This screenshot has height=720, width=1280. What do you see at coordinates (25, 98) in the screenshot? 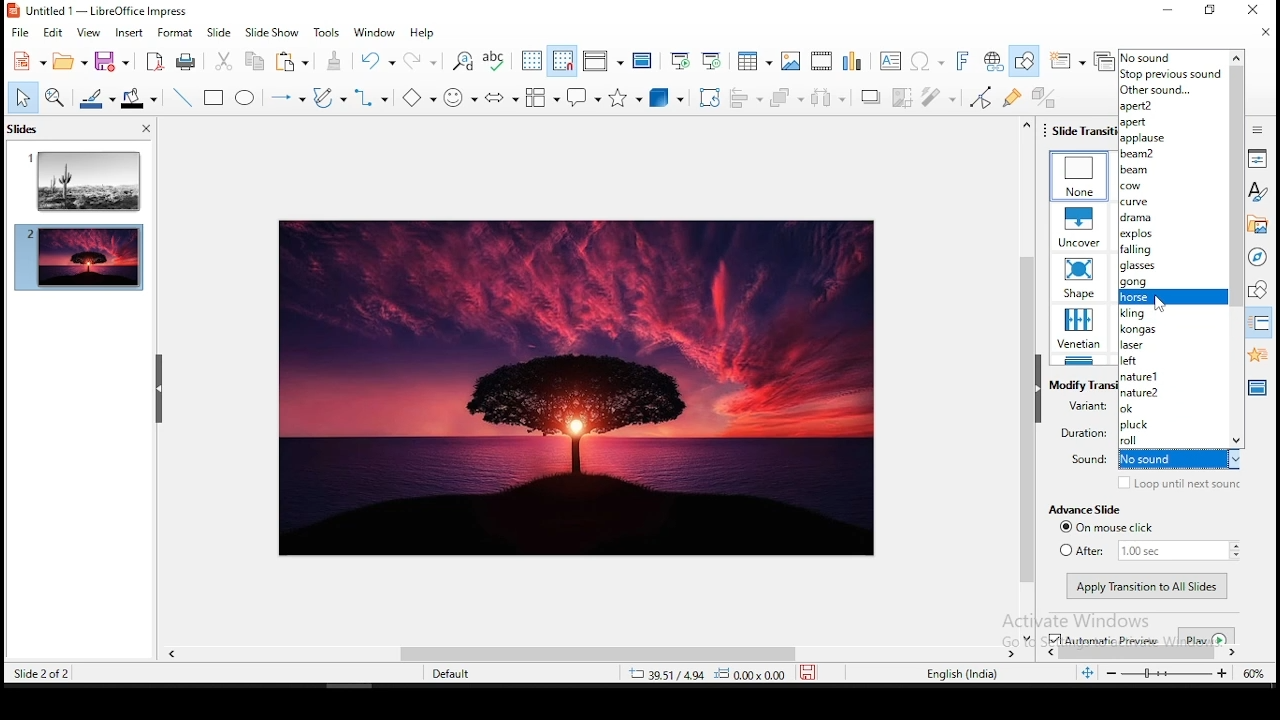
I see `select tool` at bounding box center [25, 98].